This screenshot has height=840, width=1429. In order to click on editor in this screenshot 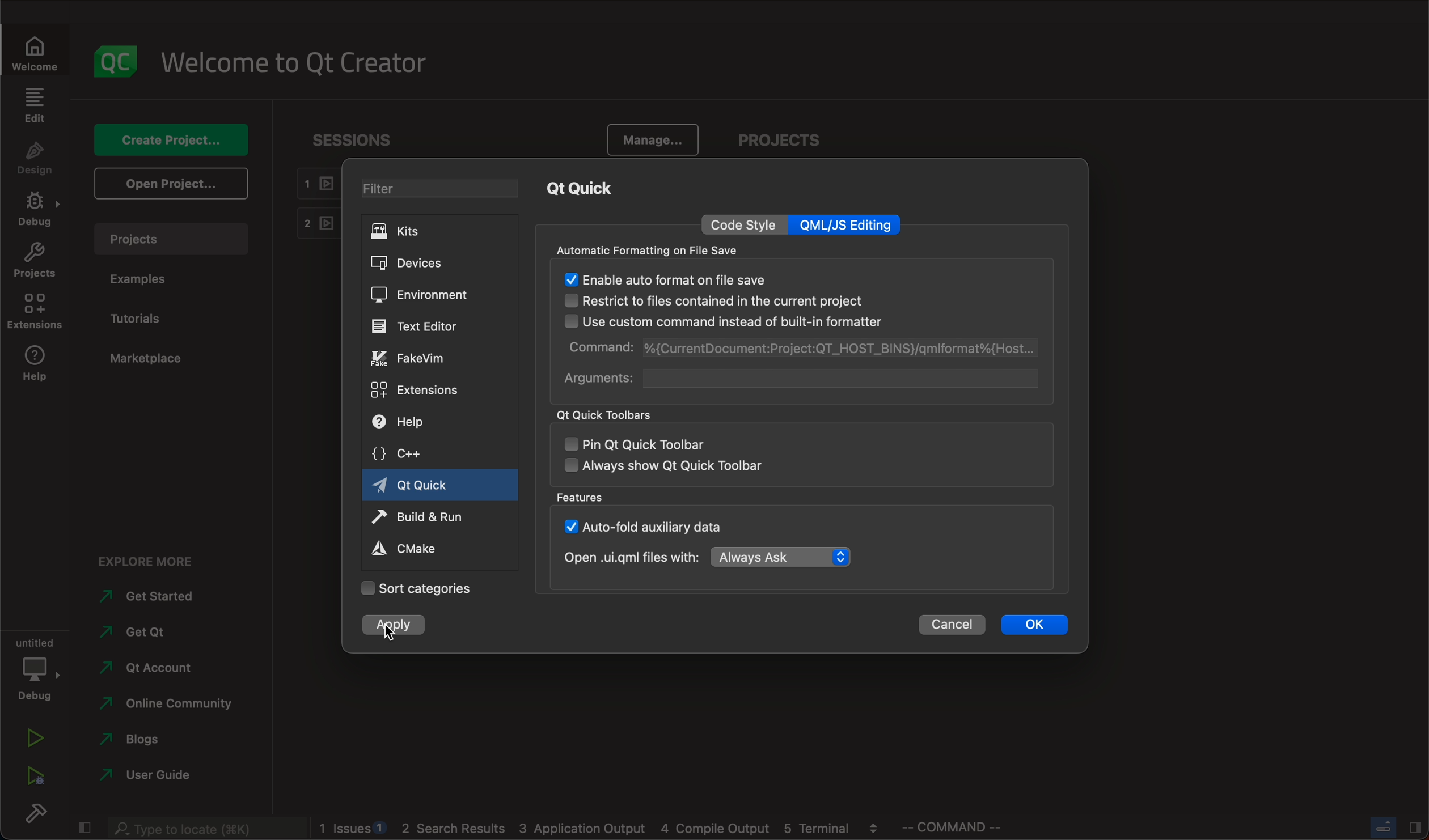, I will do `click(420, 326)`.